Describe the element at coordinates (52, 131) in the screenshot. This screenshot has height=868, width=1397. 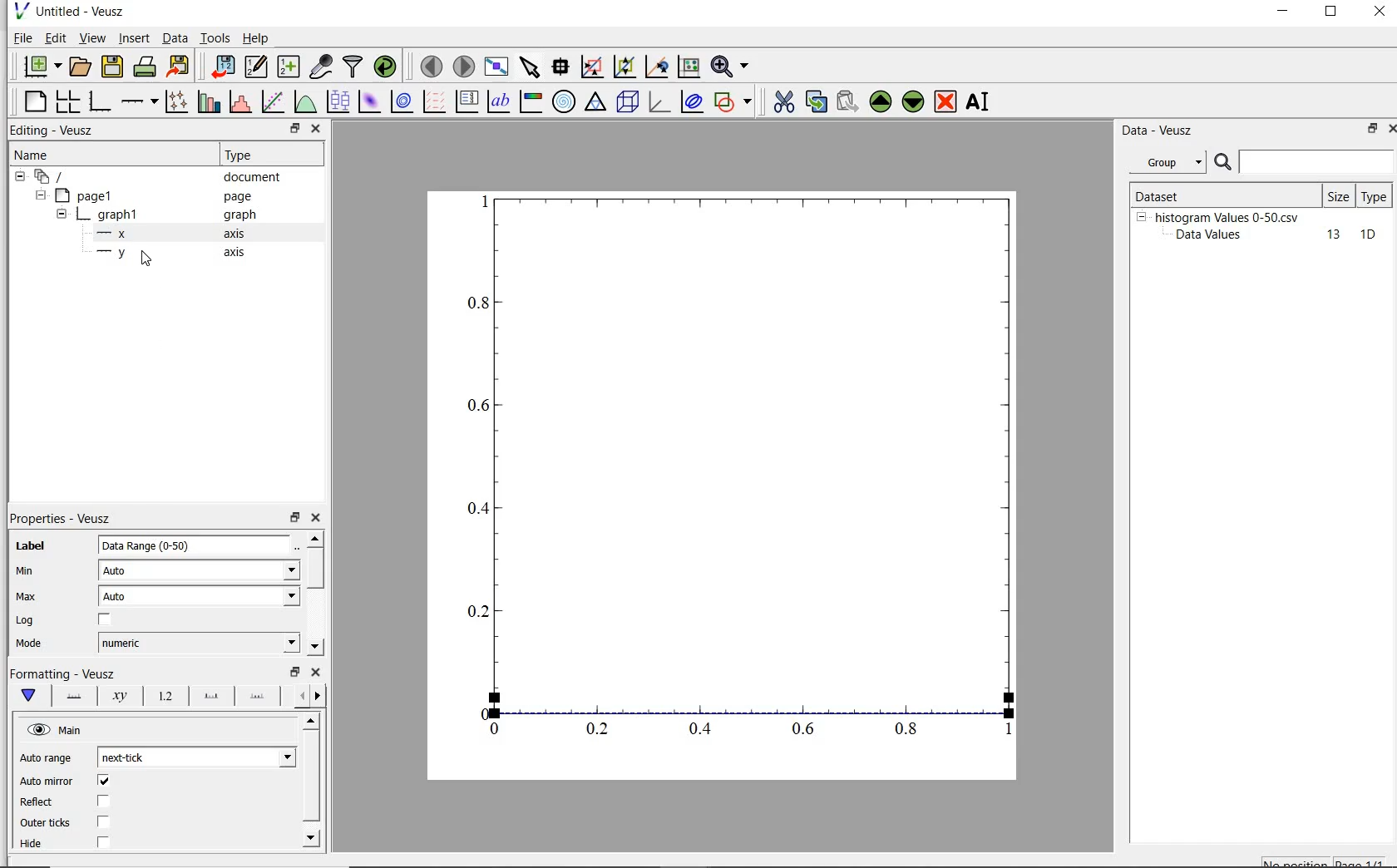
I see `editing-veusz` at that location.